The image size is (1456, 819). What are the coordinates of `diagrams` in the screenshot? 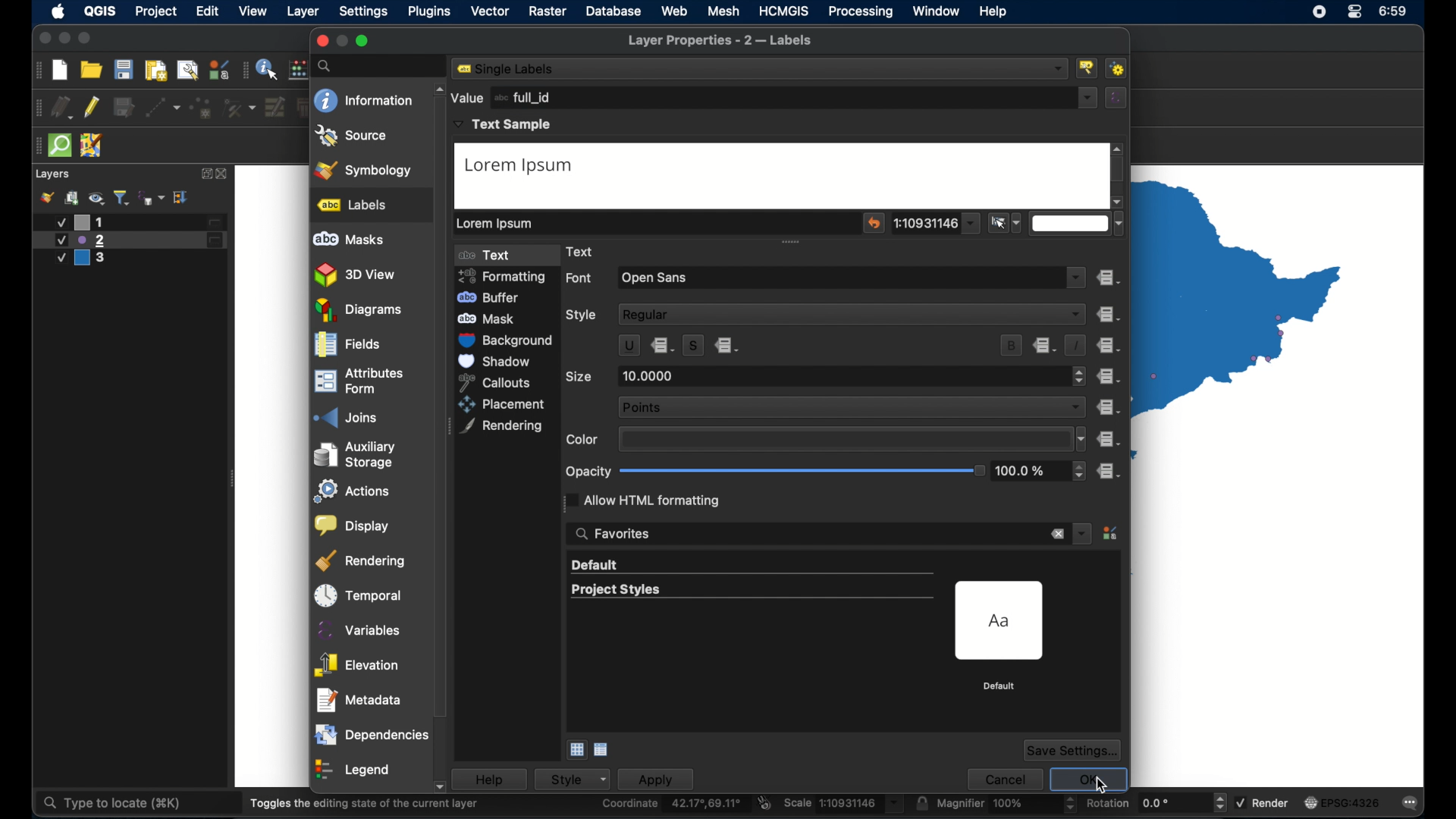 It's located at (359, 310).